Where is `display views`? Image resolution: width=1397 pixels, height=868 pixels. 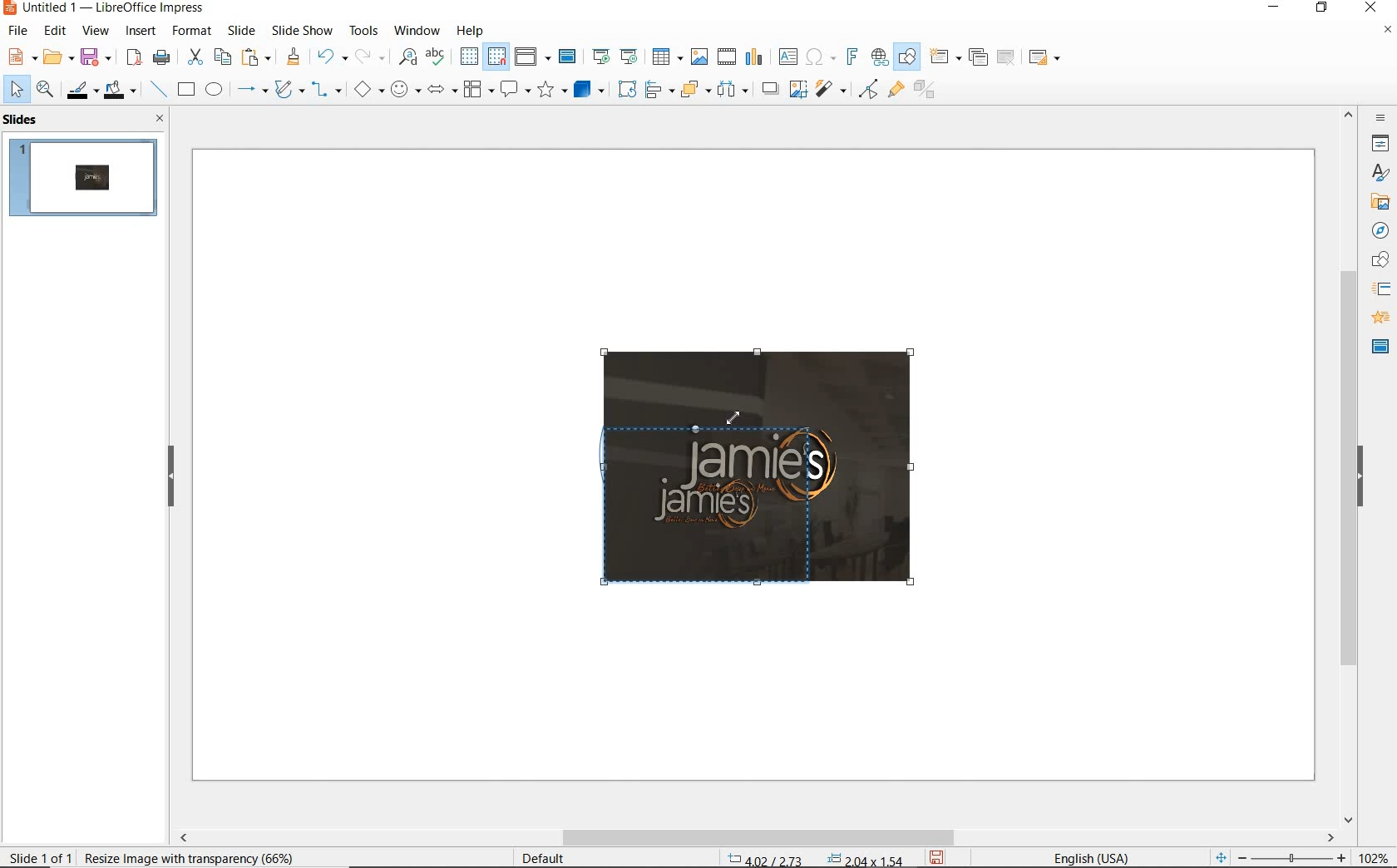 display views is located at coordinates (533, 58).